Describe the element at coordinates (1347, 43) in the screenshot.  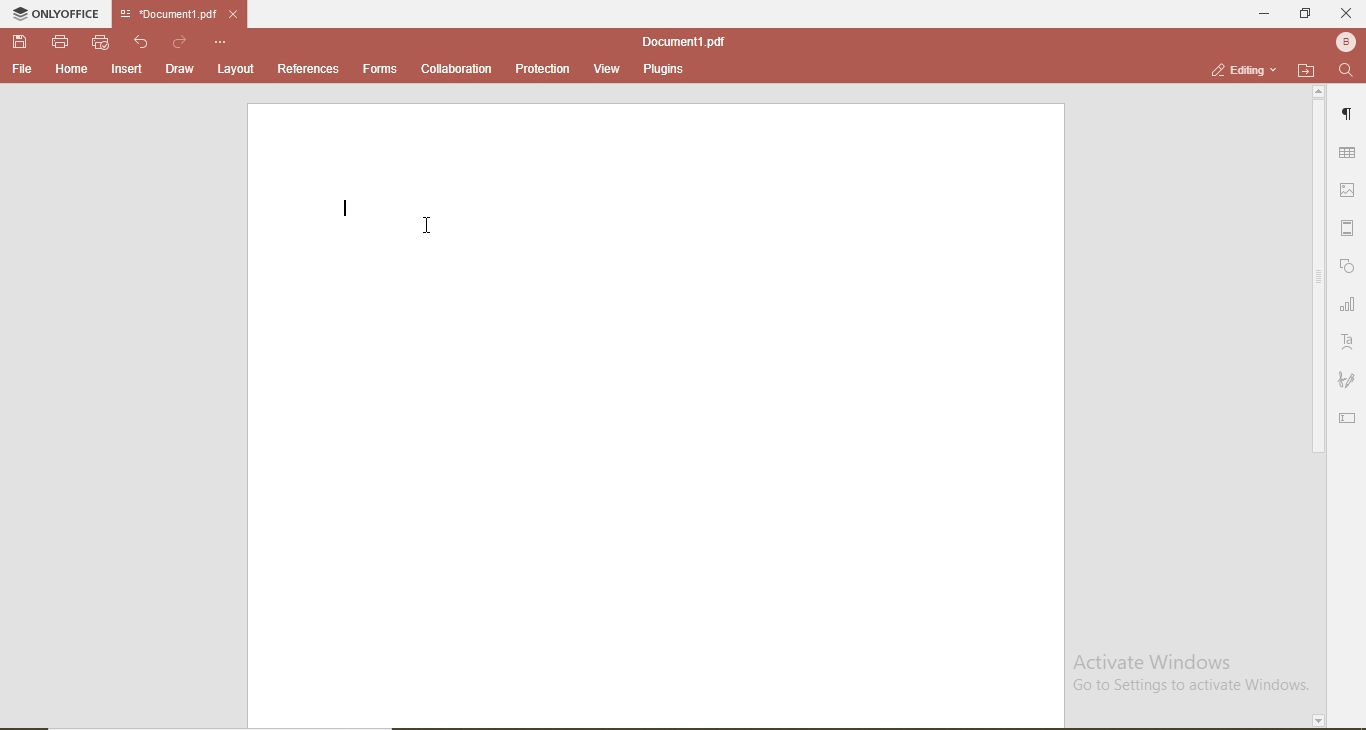
I see `profile` at that location.